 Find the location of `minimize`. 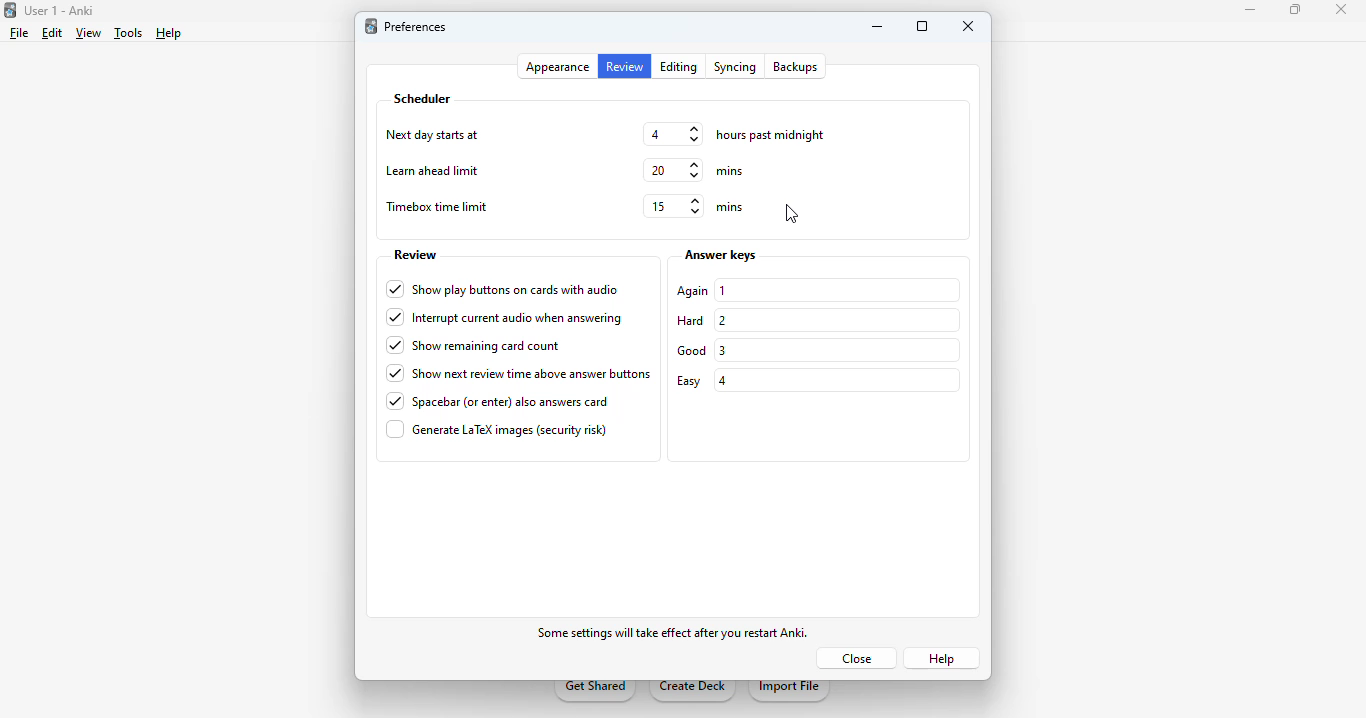

minimize is located at coordinates (877, 26).